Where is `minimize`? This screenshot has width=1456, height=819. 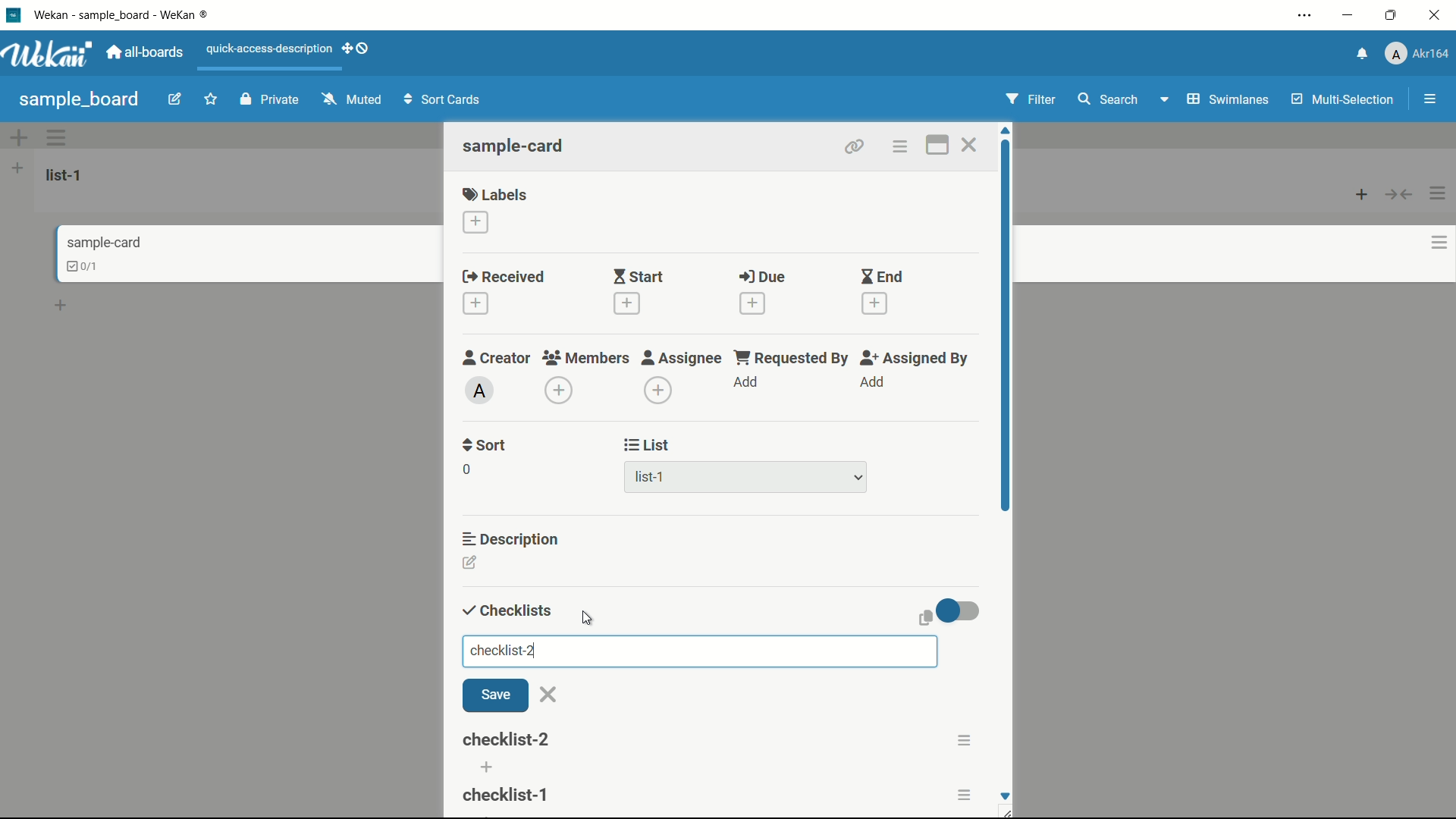
minimize is located at coordinates (1346, 16).